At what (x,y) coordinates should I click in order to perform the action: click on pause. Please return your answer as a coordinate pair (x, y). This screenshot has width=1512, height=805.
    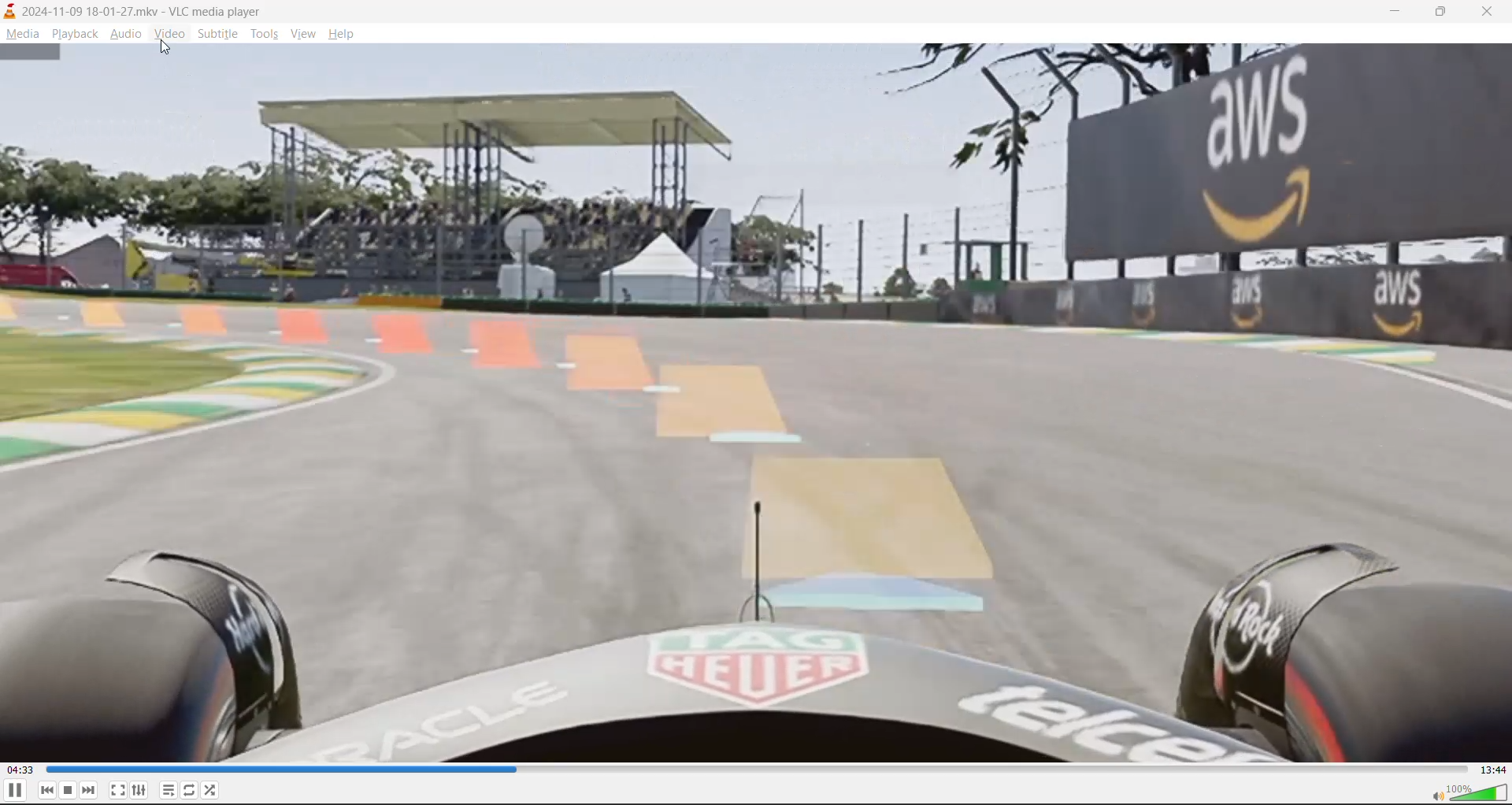
    Looking at the image, I should click on (17, 792).